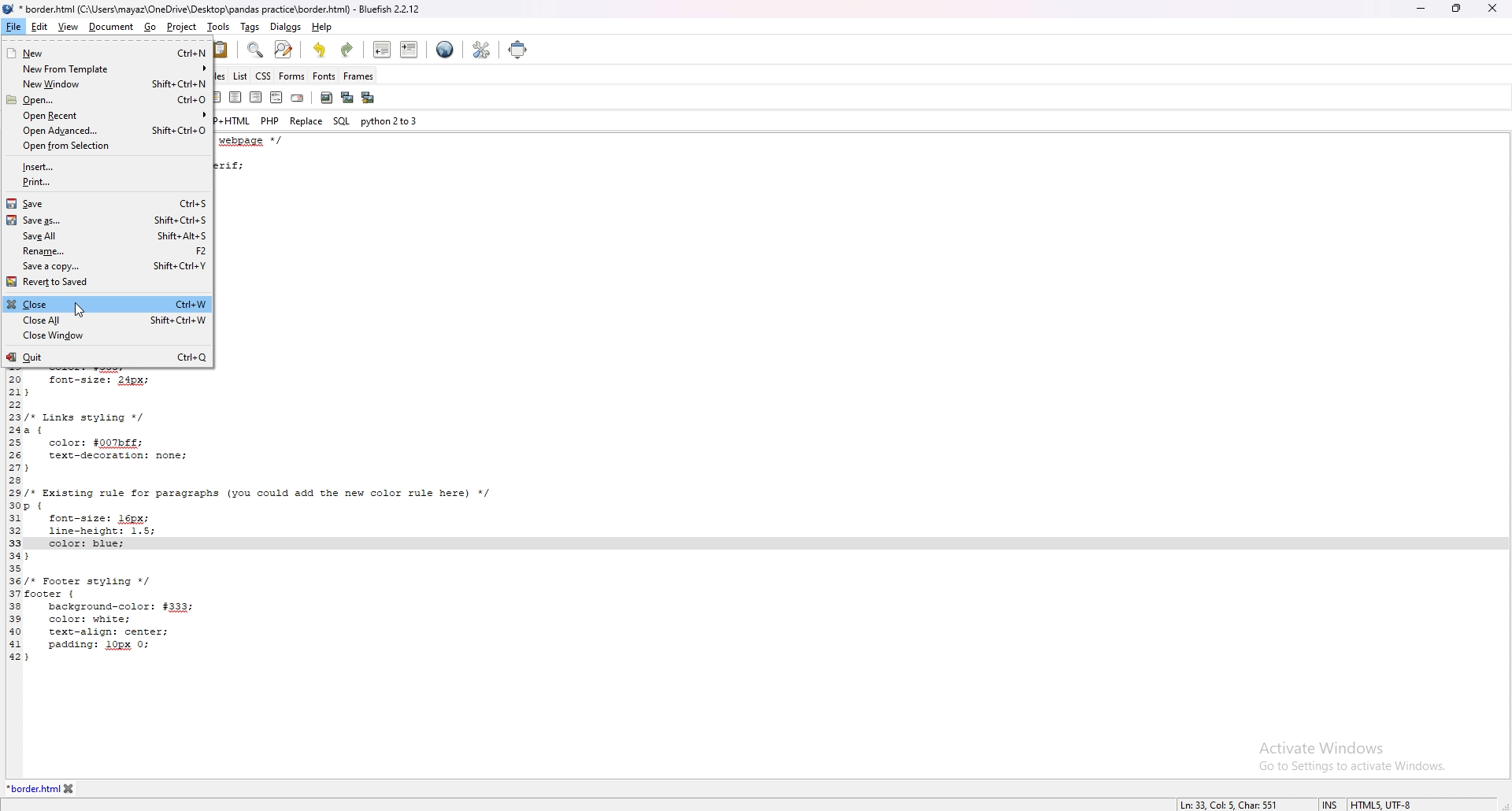  I want to click on insert image, so click(327, 98).